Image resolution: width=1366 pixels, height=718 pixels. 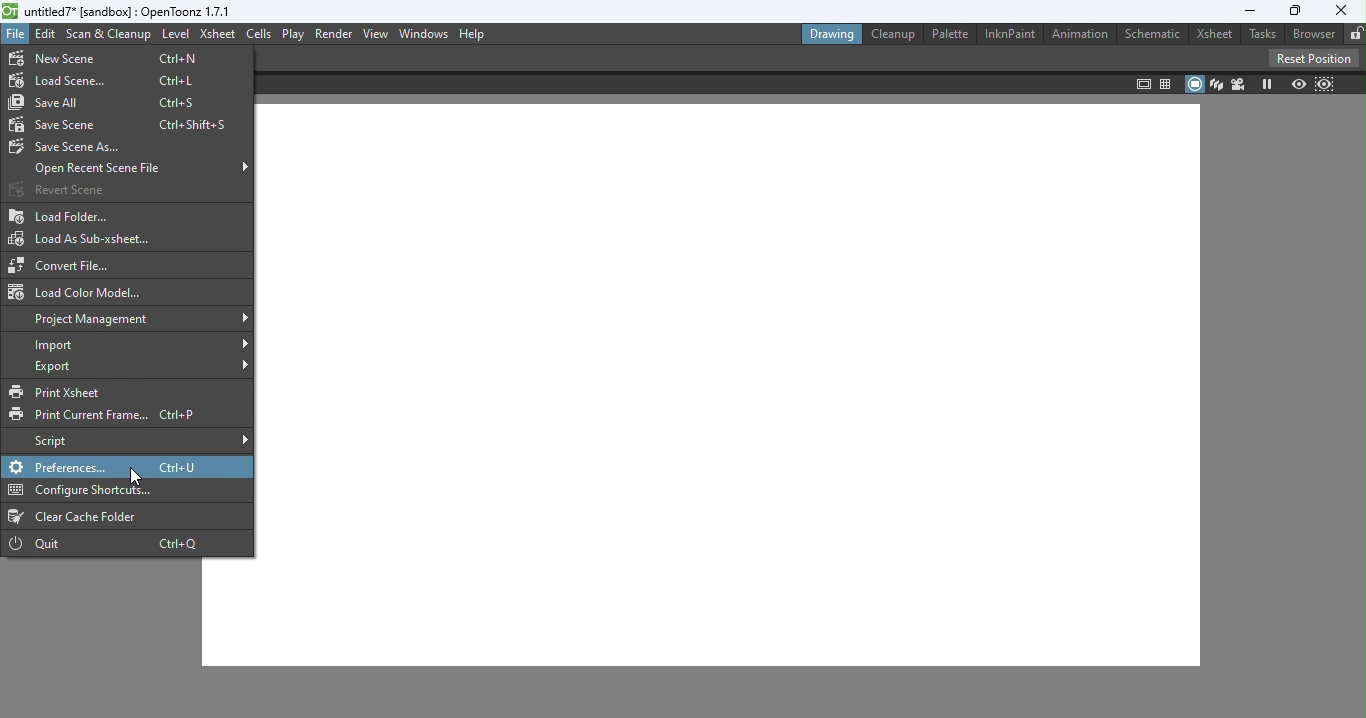 I want to click on Maximize, so click(x=1293, y=11).